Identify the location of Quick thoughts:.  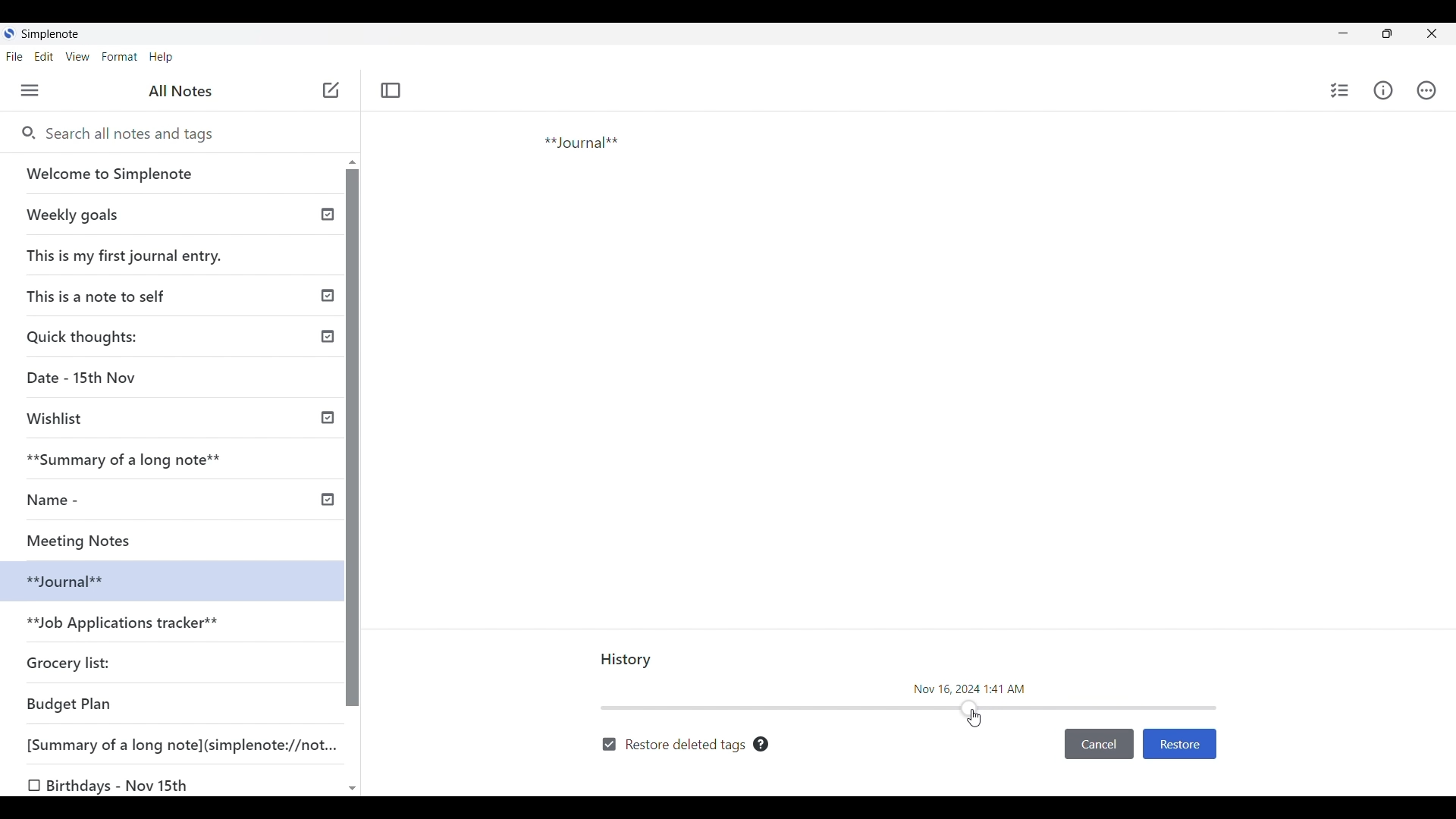
(85, 336).